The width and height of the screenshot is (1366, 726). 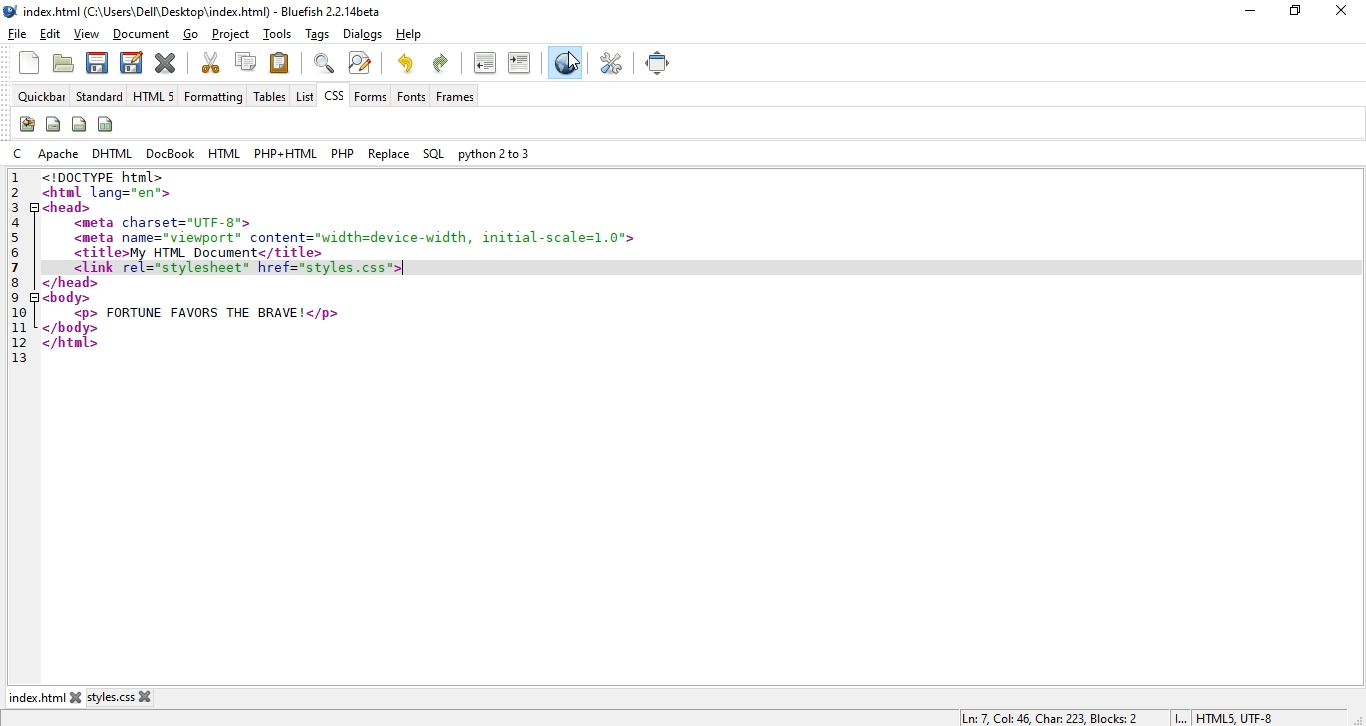 I want to click on 2, so click(x=18, y=192).